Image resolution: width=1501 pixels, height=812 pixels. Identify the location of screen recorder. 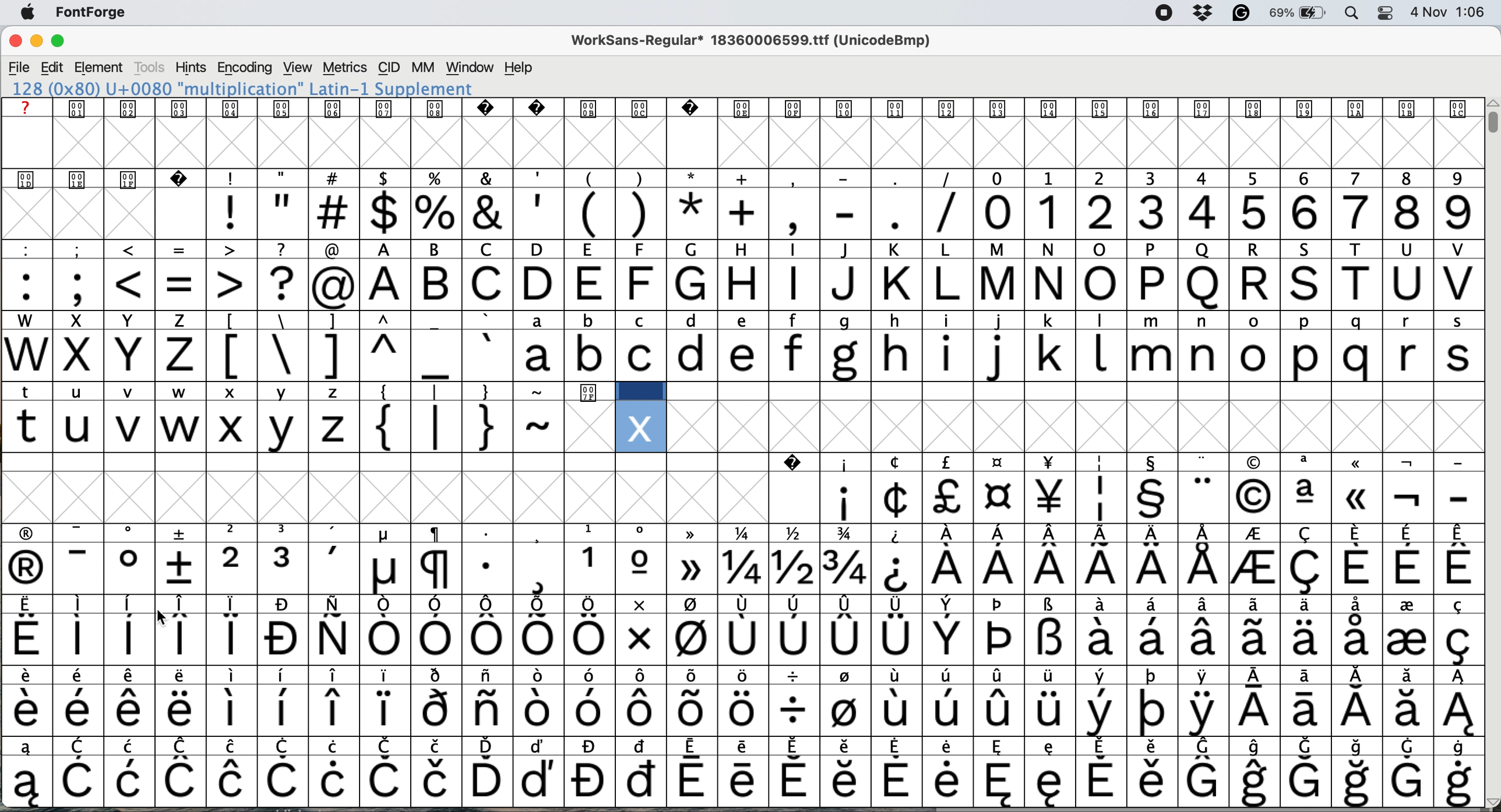
(1160, 13).